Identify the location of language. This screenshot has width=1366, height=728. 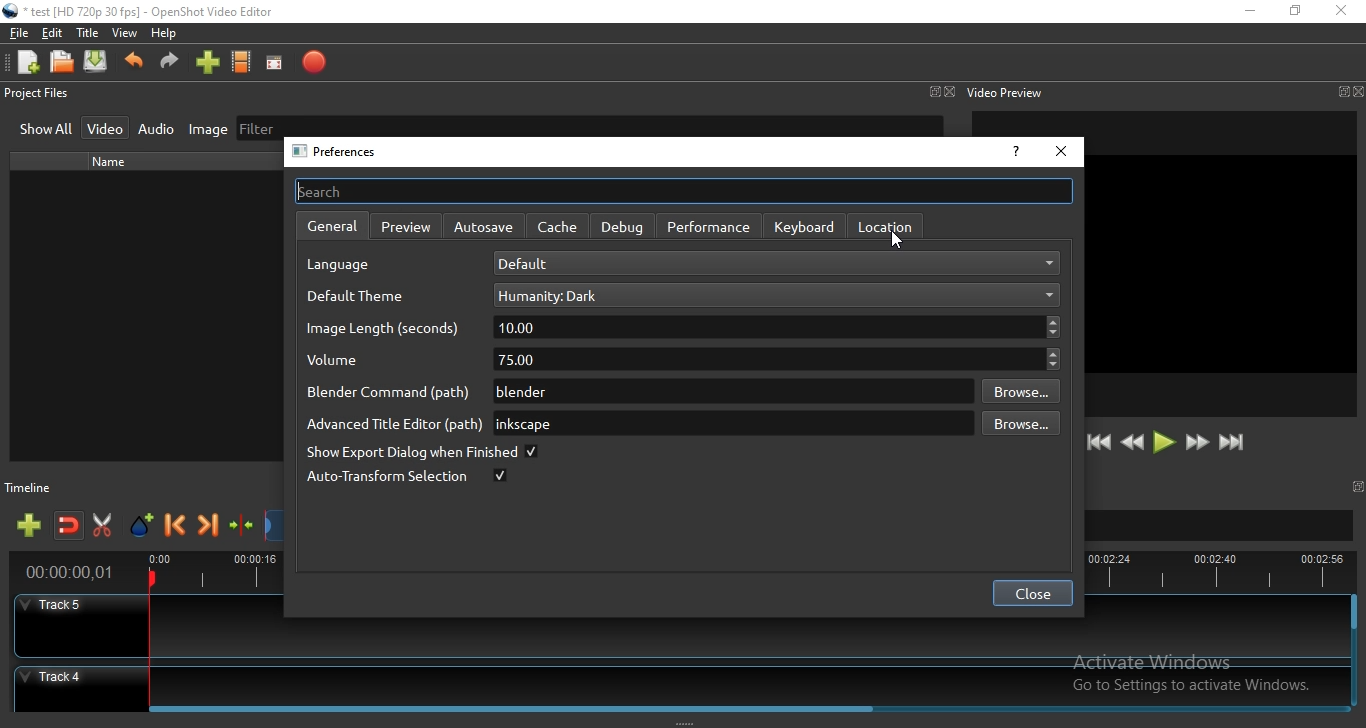
(346, 267).